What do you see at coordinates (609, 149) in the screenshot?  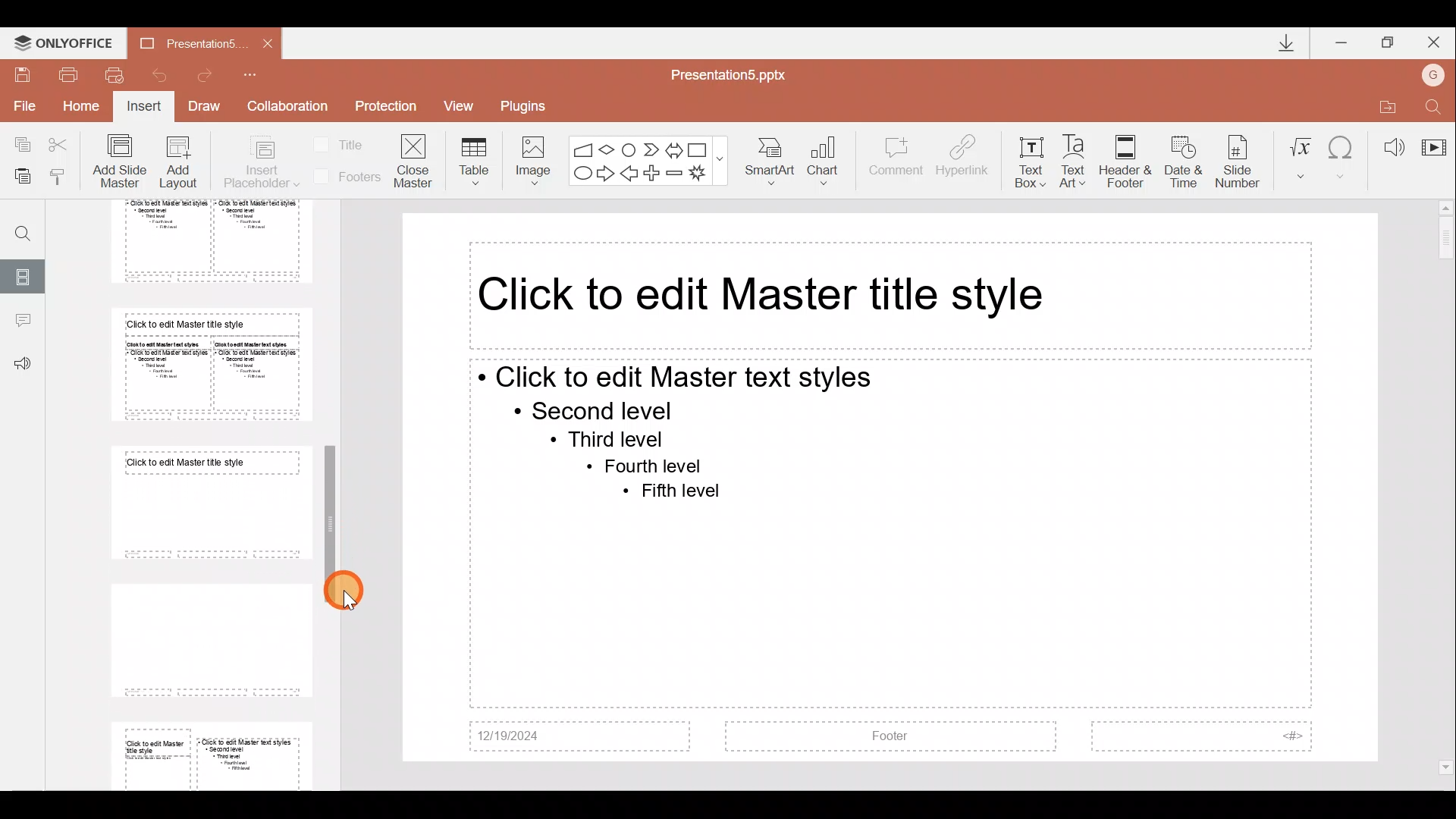 I see `Flow chart-decision` at bounding box center [609, 149].